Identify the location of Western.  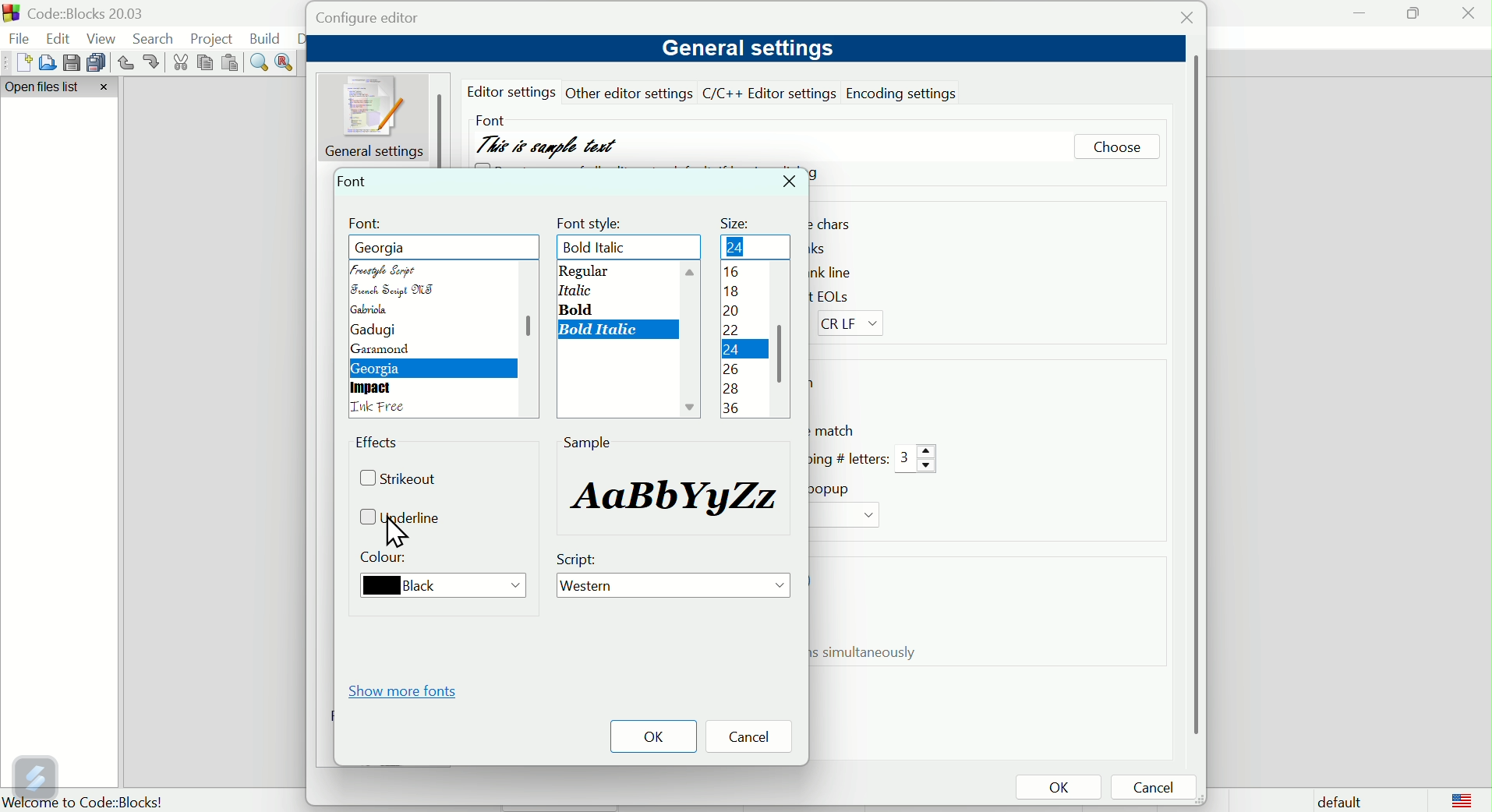
(674, 588).